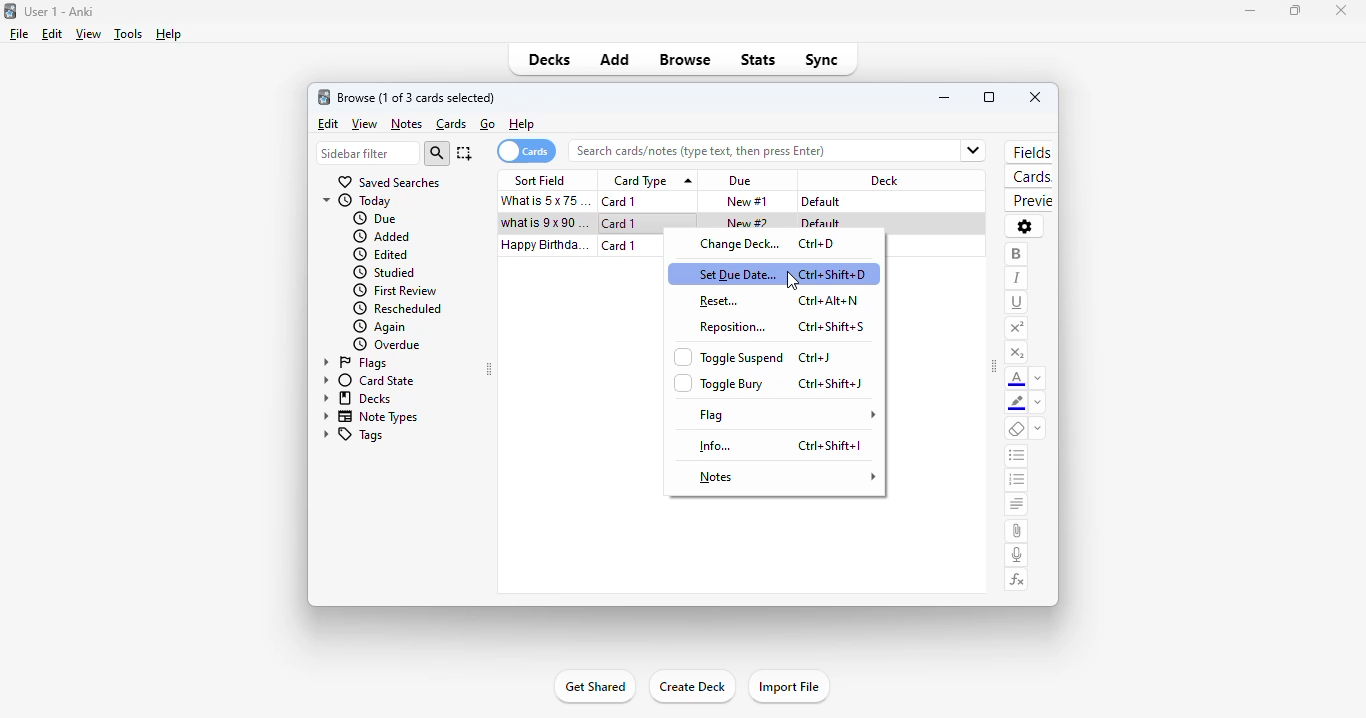 The image size is (1366, 718). I want to click on flags, so click(353, 363).